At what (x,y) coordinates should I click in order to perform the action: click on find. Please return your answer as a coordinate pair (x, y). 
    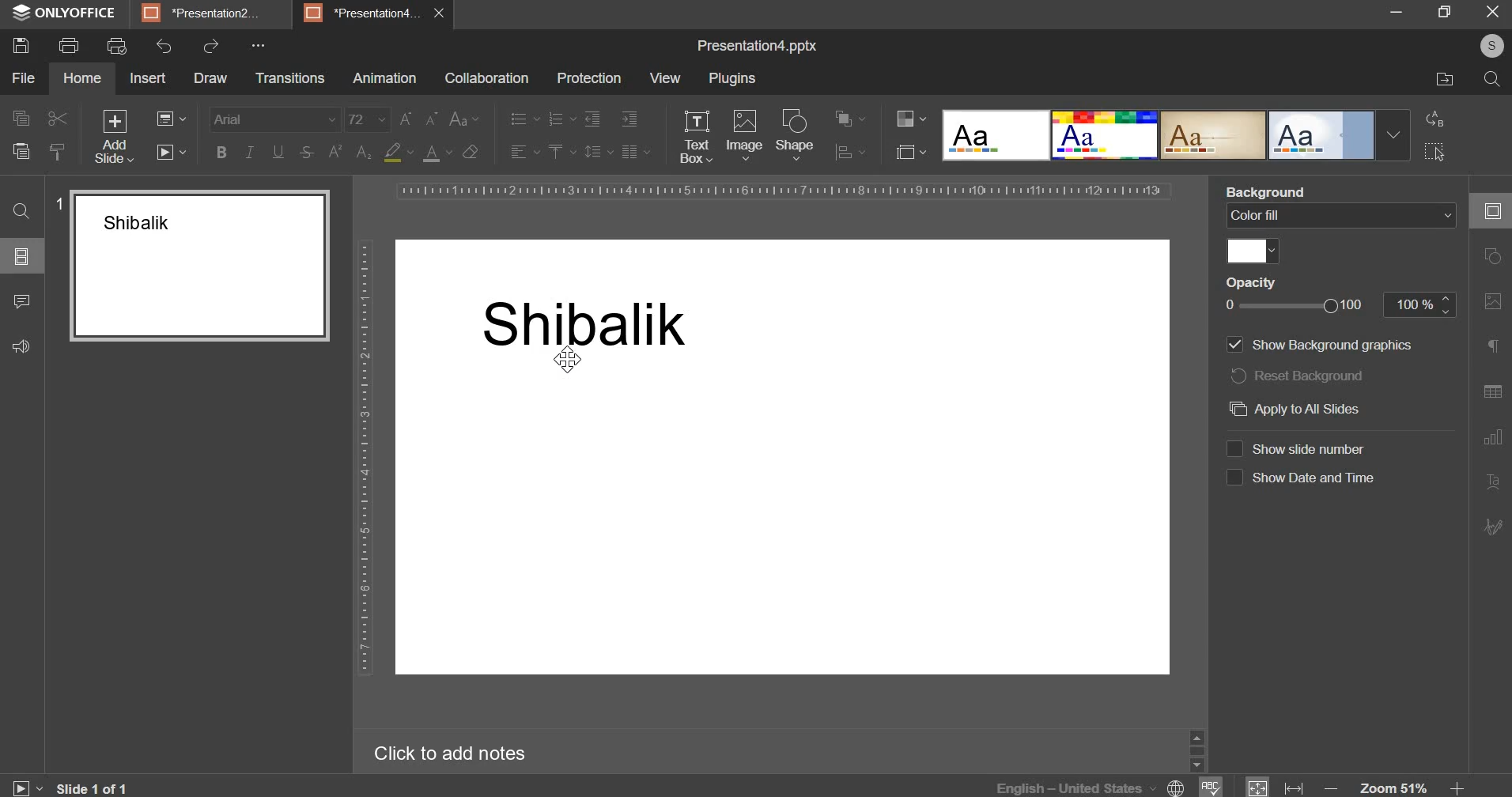
    Looking at the image, I should click on (22, 213).